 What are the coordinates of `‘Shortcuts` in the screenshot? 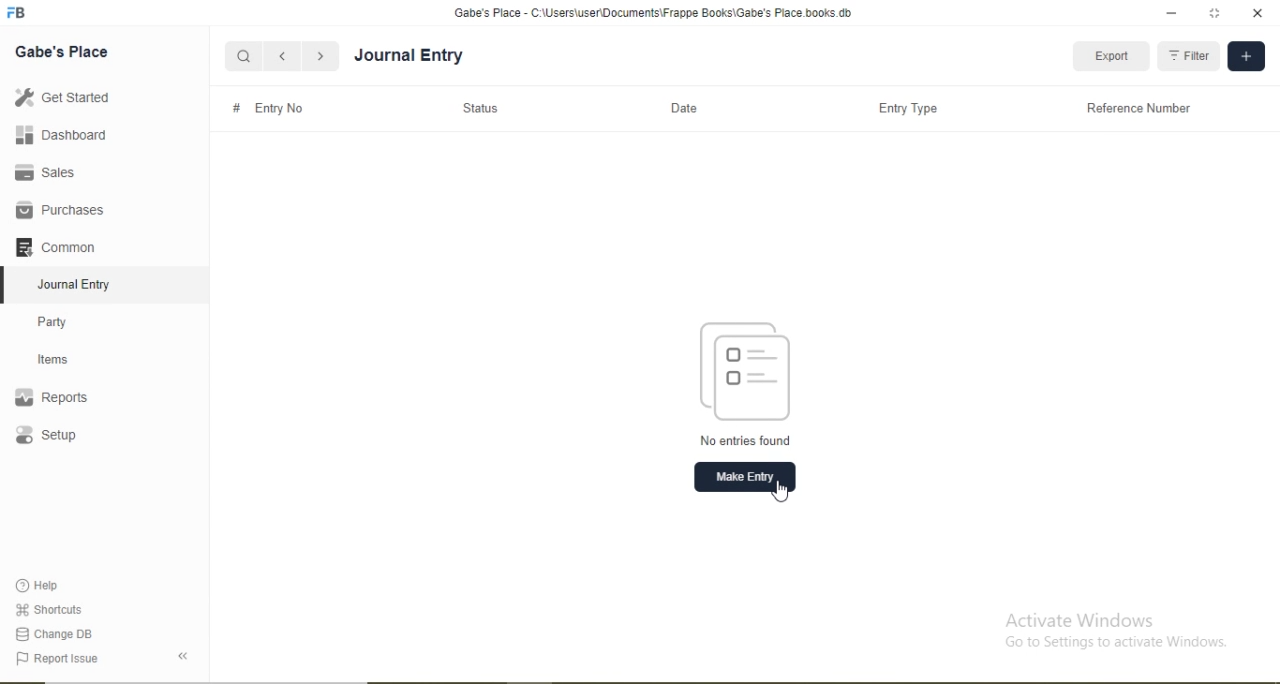 It's located at (51, 608).